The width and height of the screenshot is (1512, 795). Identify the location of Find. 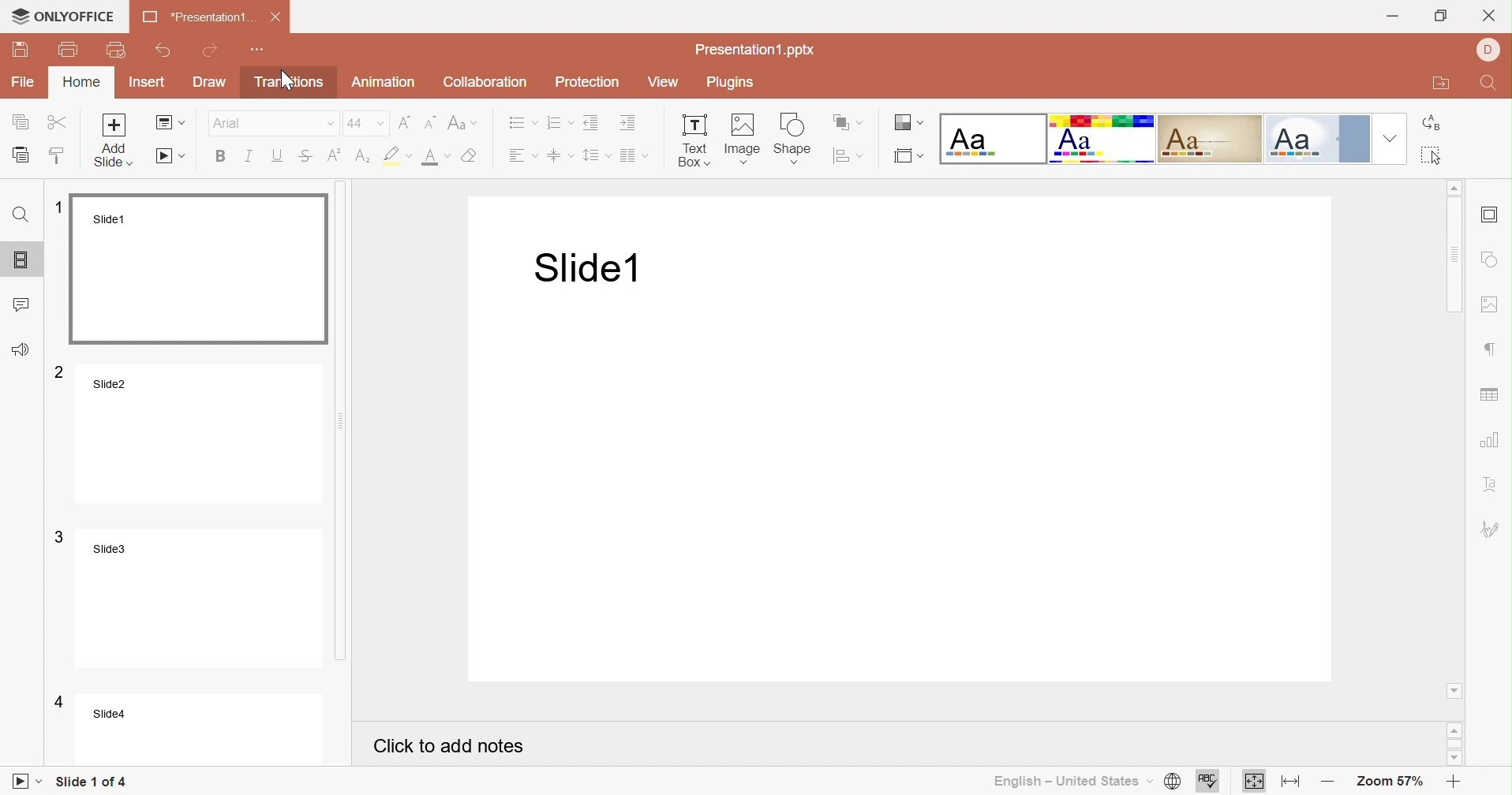
(1491, 85).